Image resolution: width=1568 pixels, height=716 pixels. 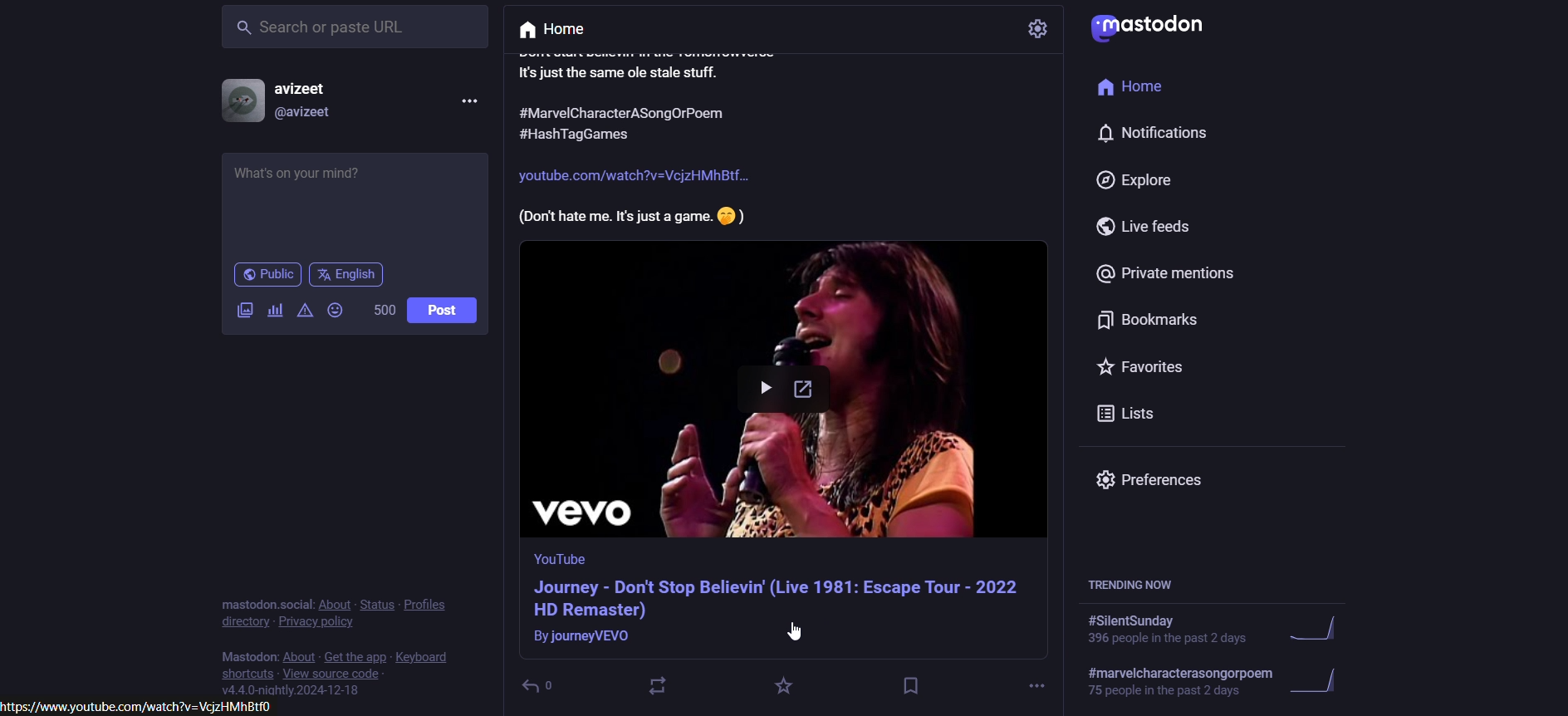 I want to click on public post, so click(x=266, y=276).